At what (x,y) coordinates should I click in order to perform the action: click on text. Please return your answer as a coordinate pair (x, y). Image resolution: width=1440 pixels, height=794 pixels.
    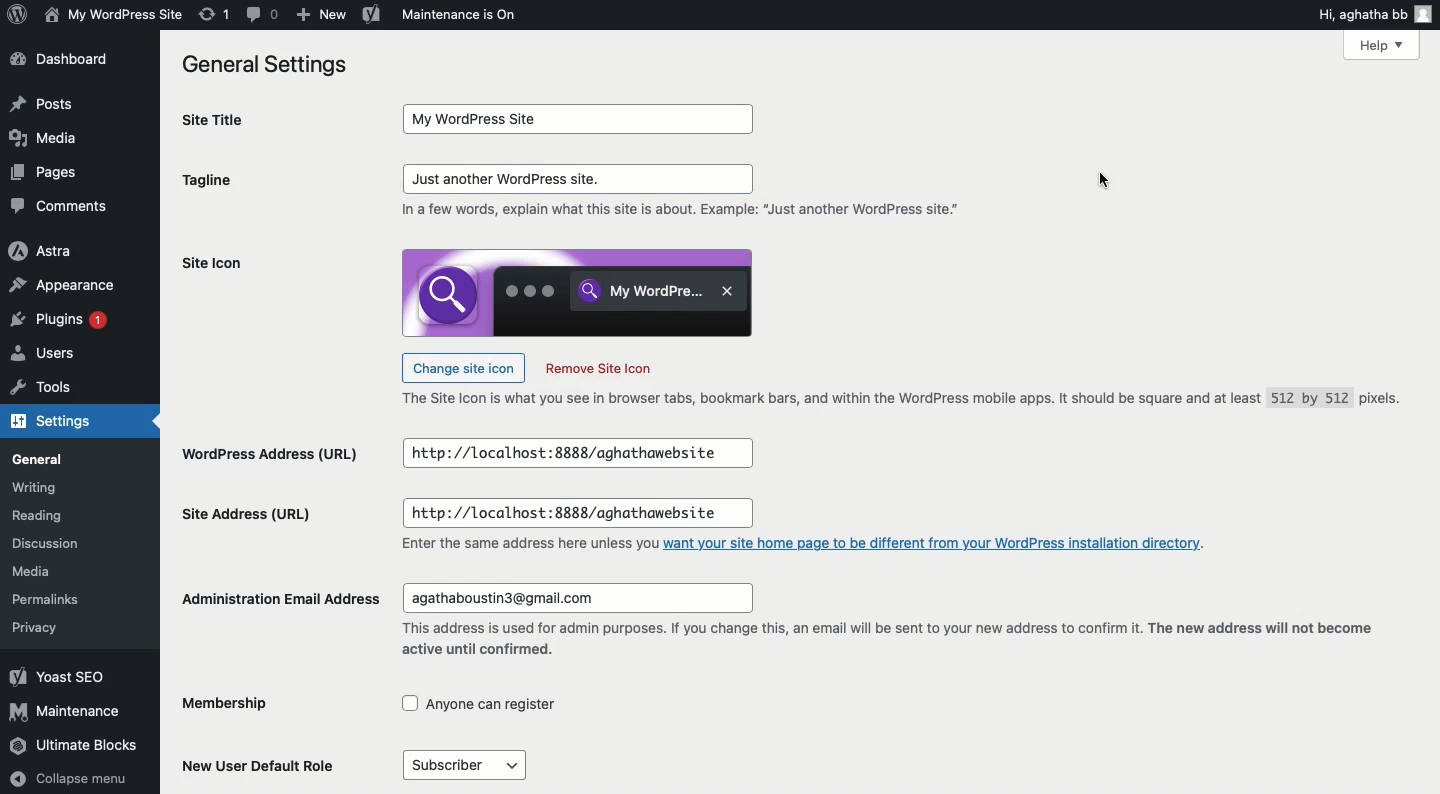
    Looking at the image, I should click on (527, 545).